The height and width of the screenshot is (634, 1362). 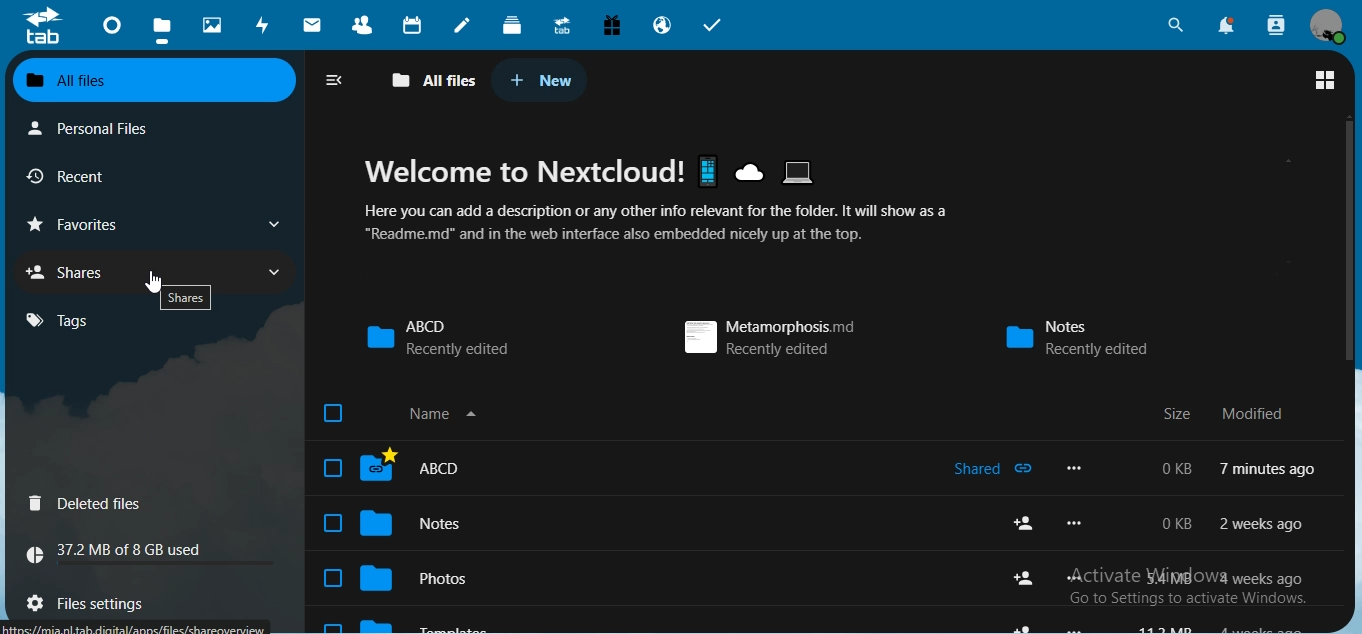 I want to click on notifications, so click(x=1228, y=27).